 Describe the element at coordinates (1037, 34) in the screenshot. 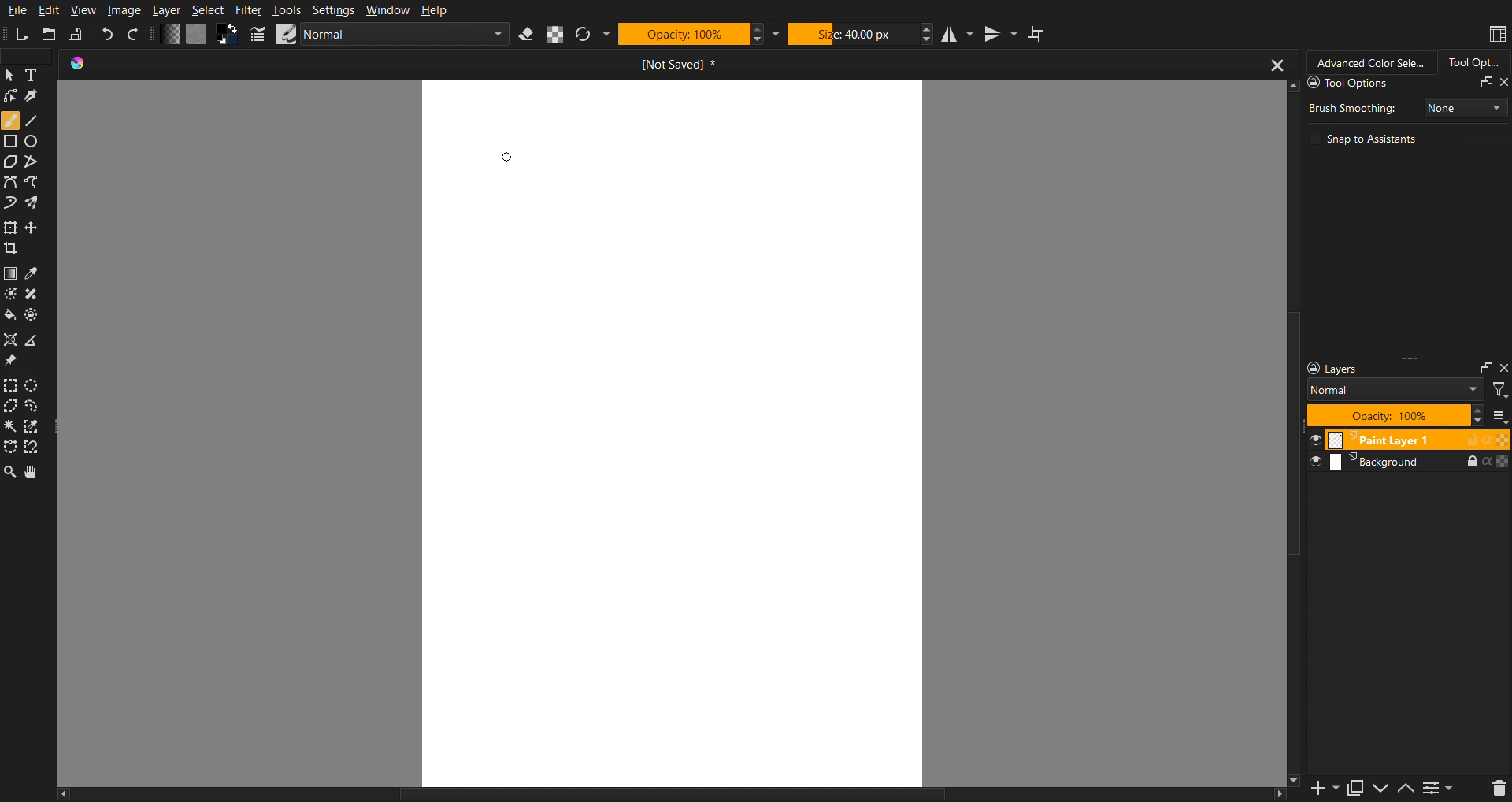

I see `Wrap Around` at that location.